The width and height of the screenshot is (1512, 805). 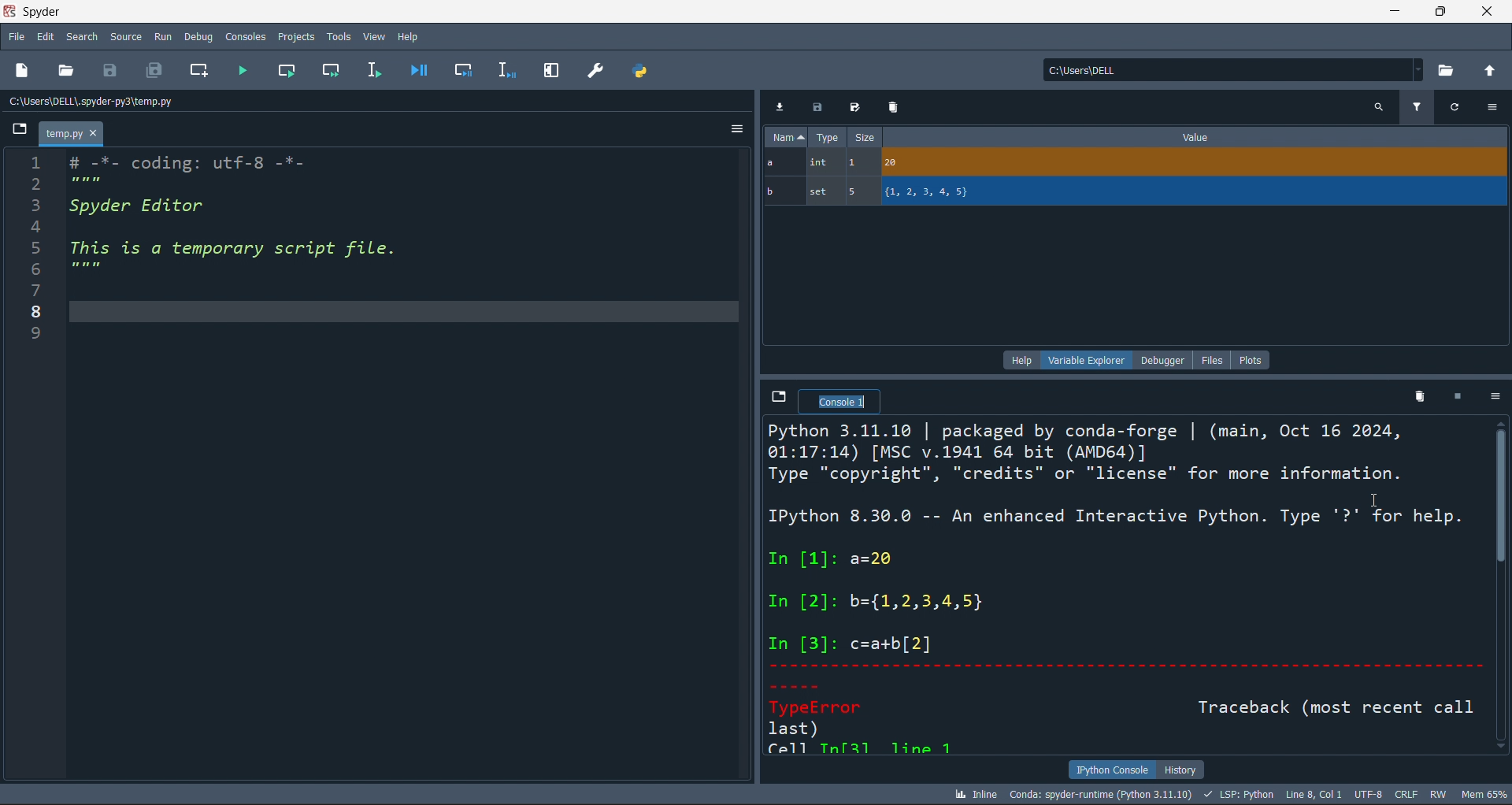 What do you see at coordinates (1492, 398) in the screenshot?
I see `options` at bounding box center [1492, 398].